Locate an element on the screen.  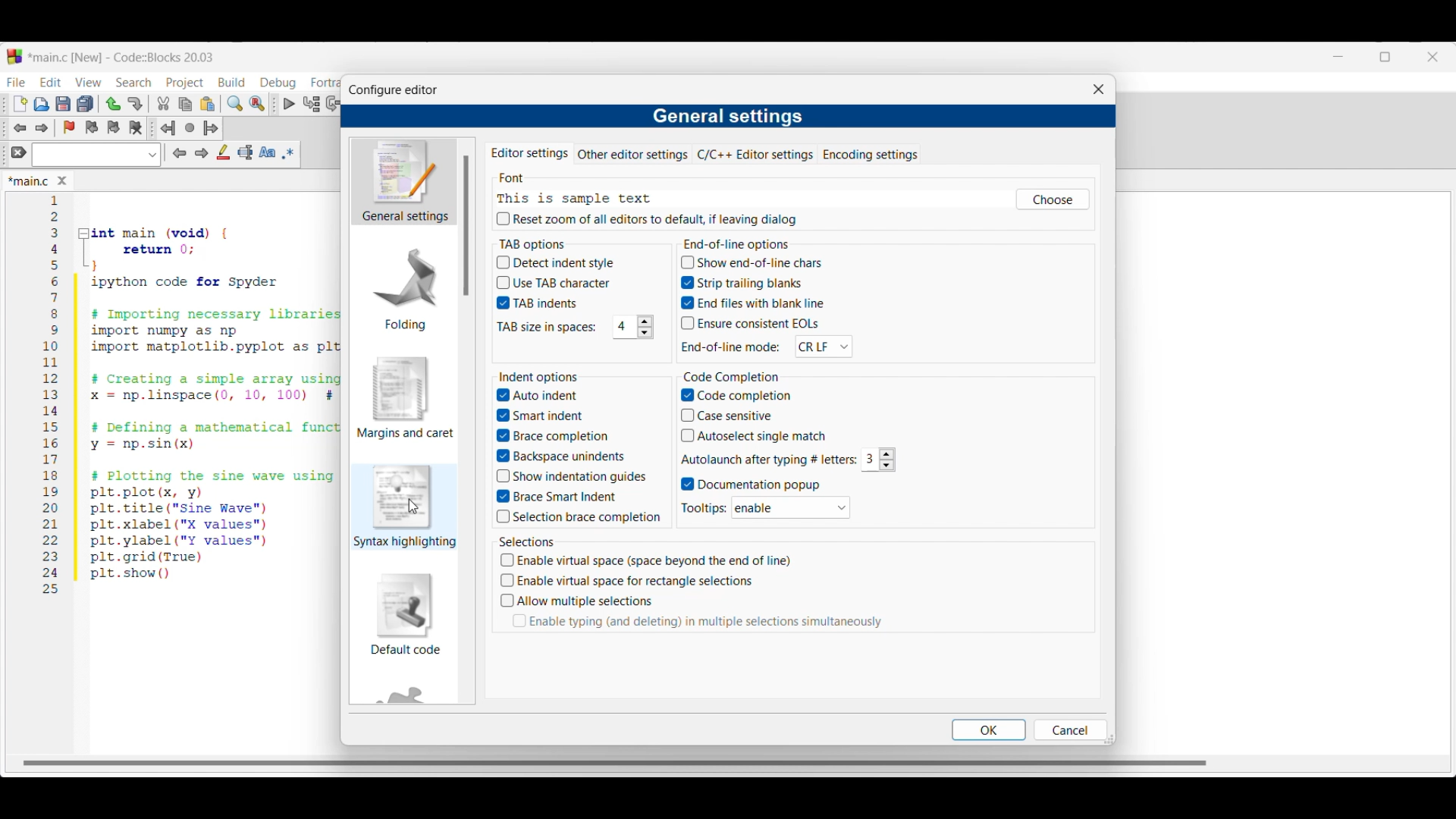
General settings, current setting highlighted  is located at coordinates (403, 182).